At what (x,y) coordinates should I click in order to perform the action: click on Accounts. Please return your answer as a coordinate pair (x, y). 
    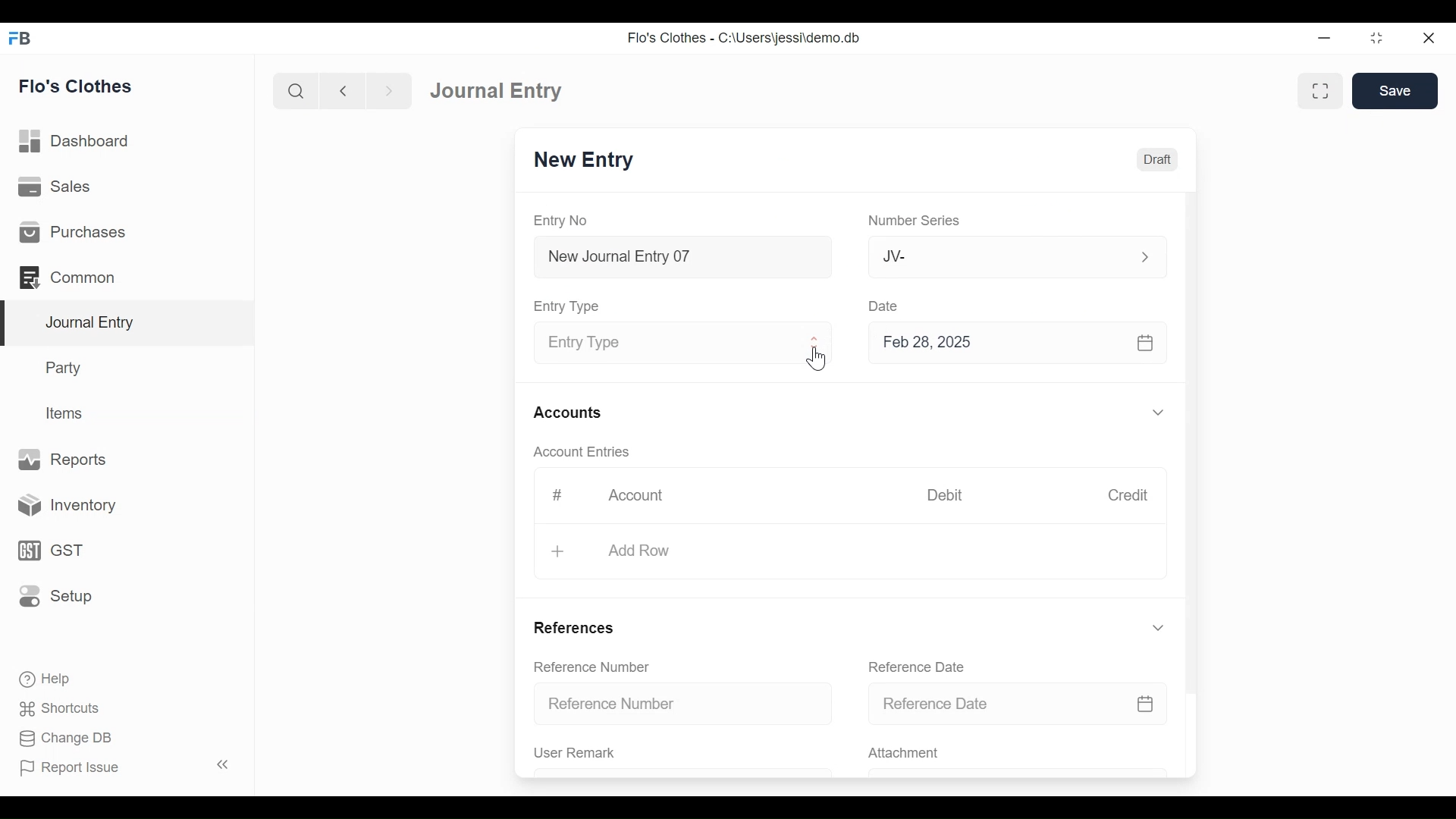
    Looking at the image, I should click on (567, 413).